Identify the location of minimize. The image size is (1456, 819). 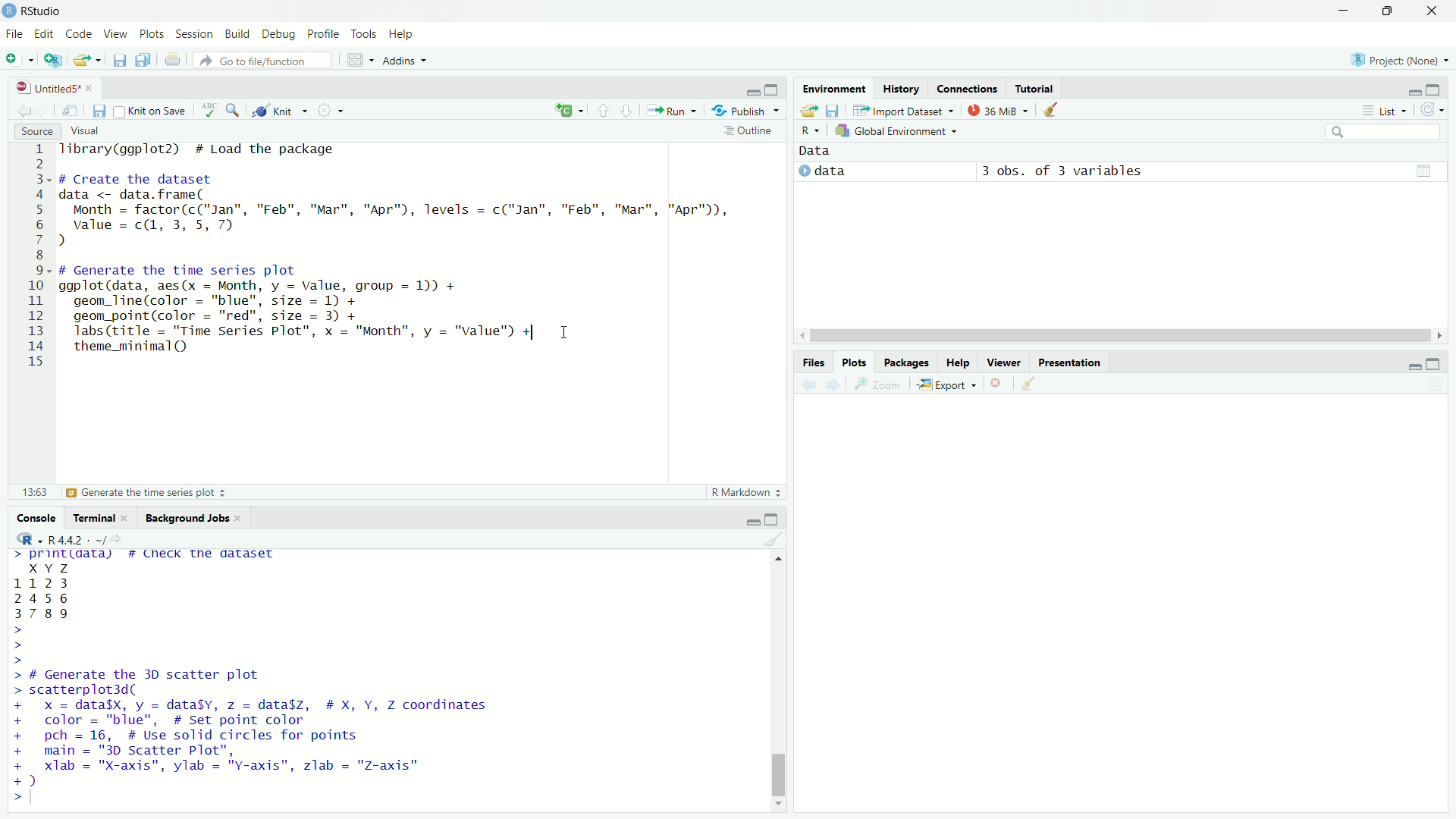
(748, 519).